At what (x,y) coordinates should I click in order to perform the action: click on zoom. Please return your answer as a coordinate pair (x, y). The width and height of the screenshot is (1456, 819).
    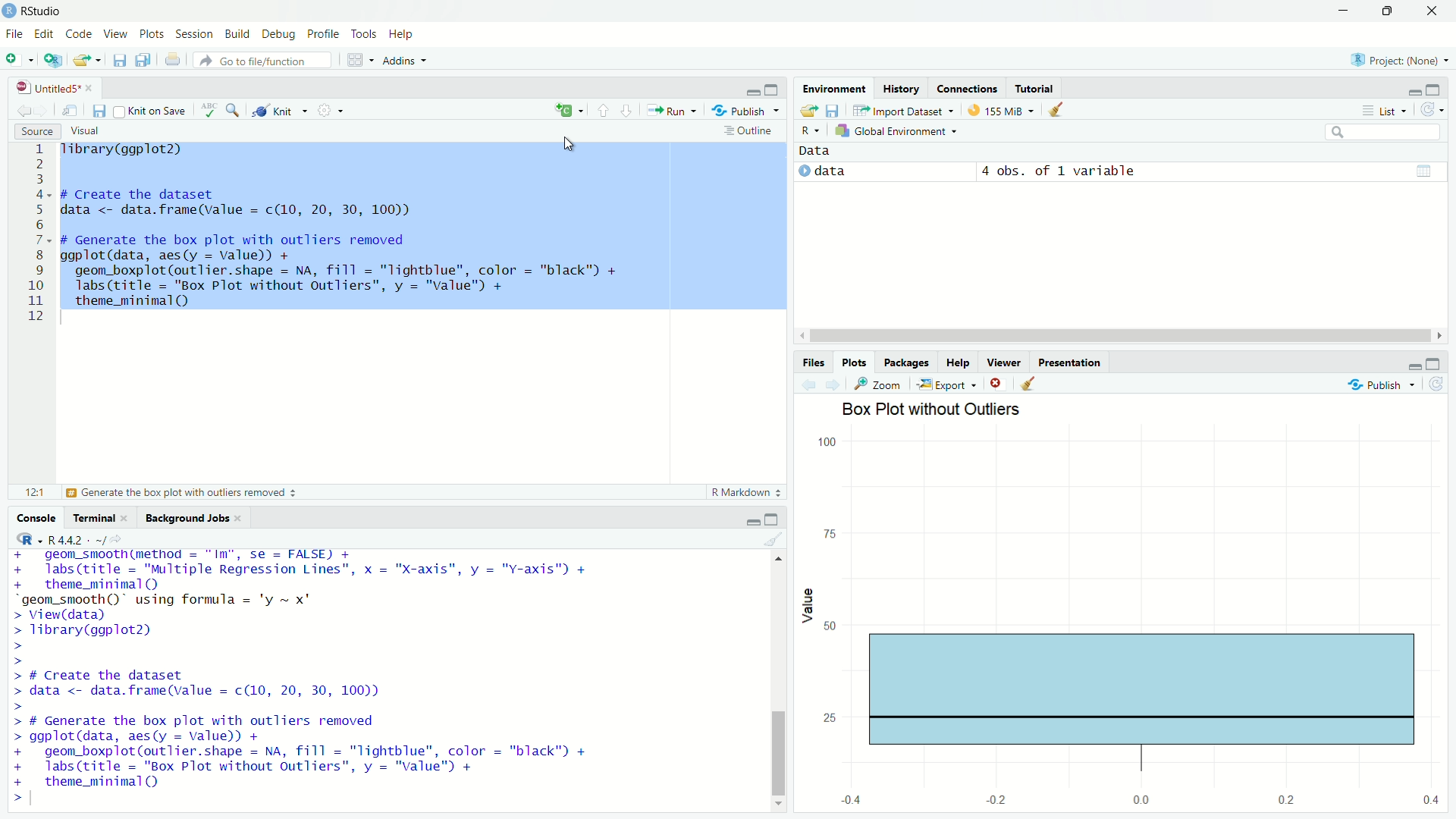
    Looking at the image, I should click on (880, 383).